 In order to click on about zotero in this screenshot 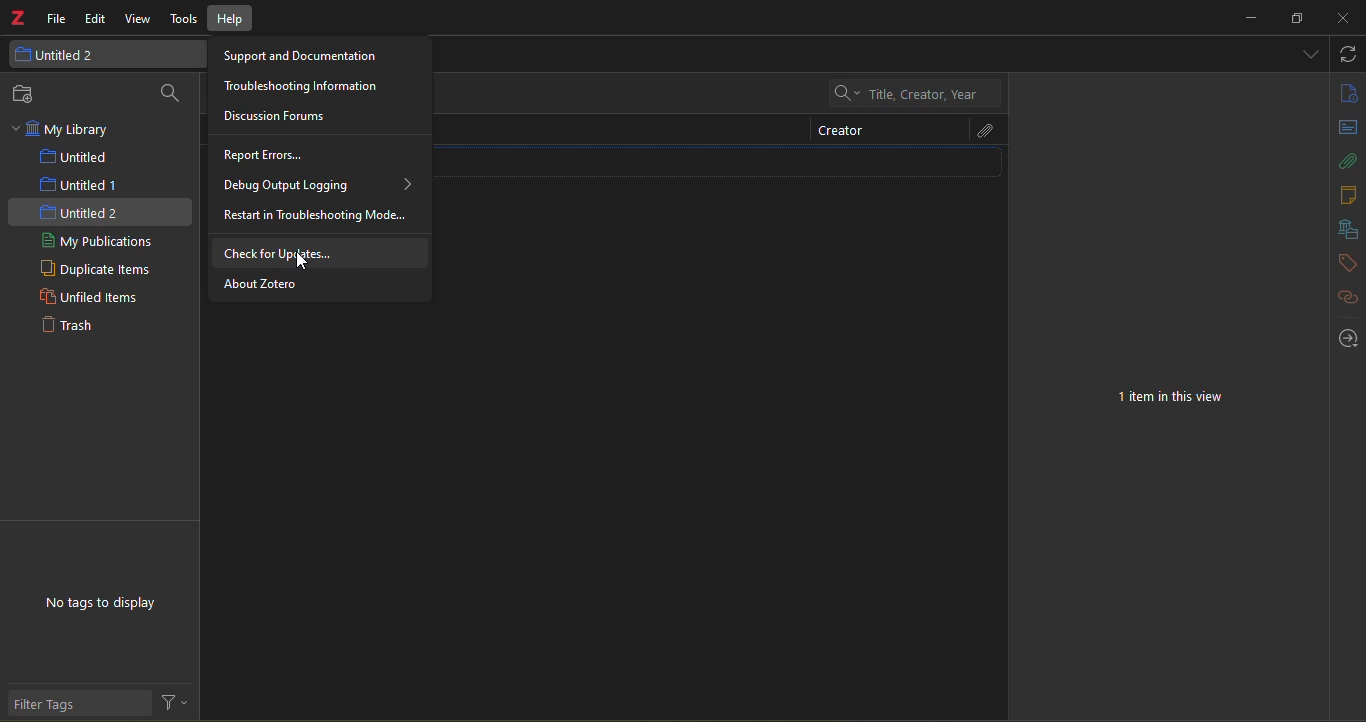, I will do `click(265, 285)`.